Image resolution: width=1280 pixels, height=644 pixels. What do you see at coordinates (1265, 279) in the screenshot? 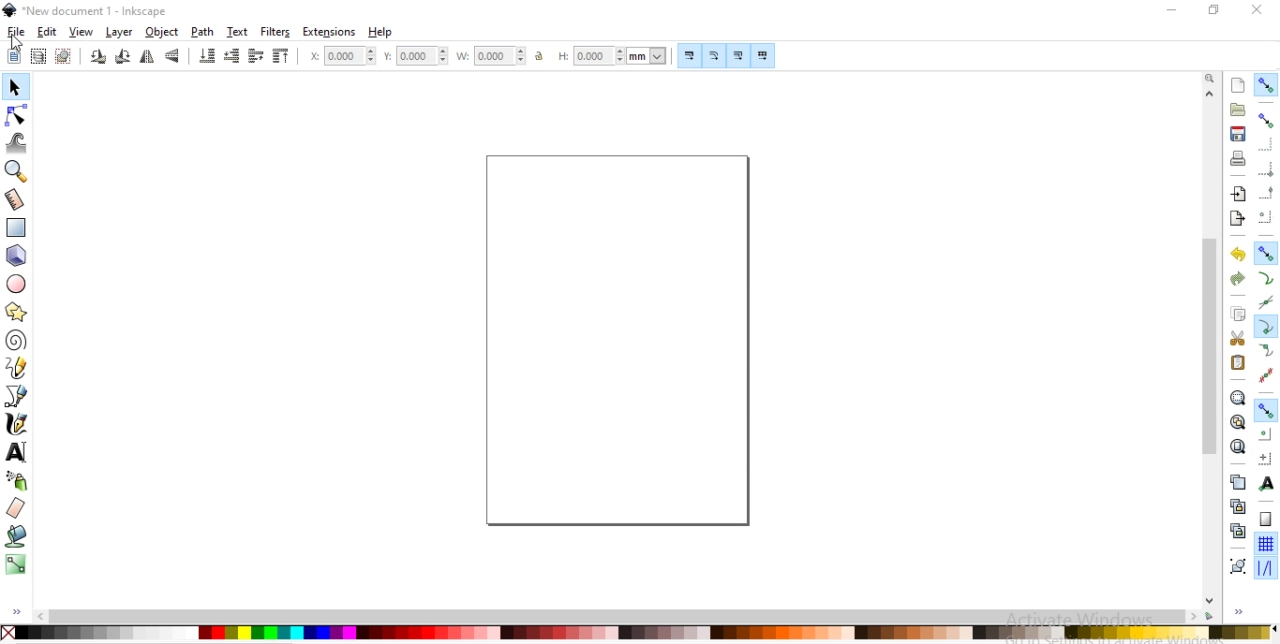
I see `snap to paths` at bounding box center [1265, 279].